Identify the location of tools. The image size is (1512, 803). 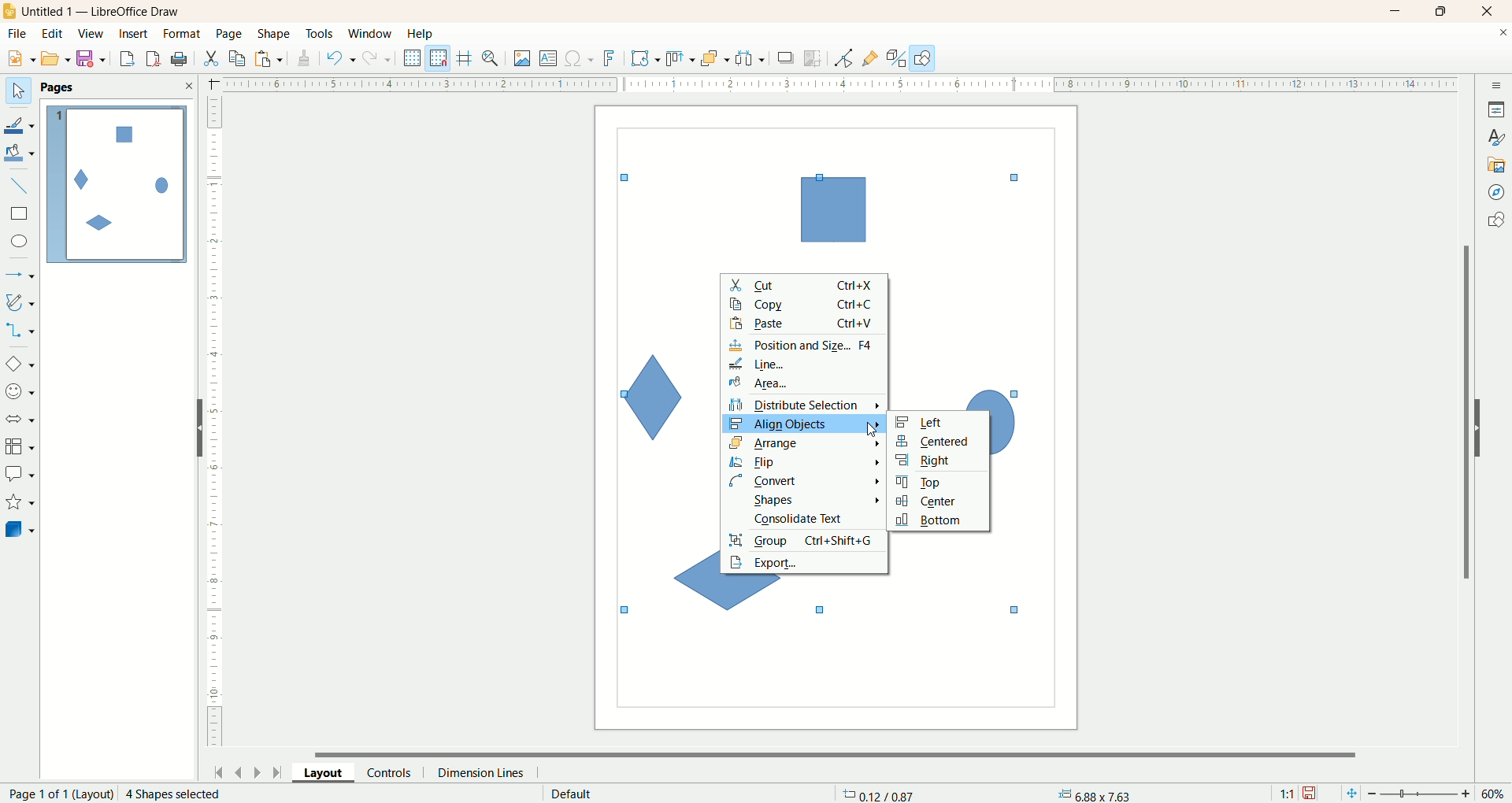
(321, 35).